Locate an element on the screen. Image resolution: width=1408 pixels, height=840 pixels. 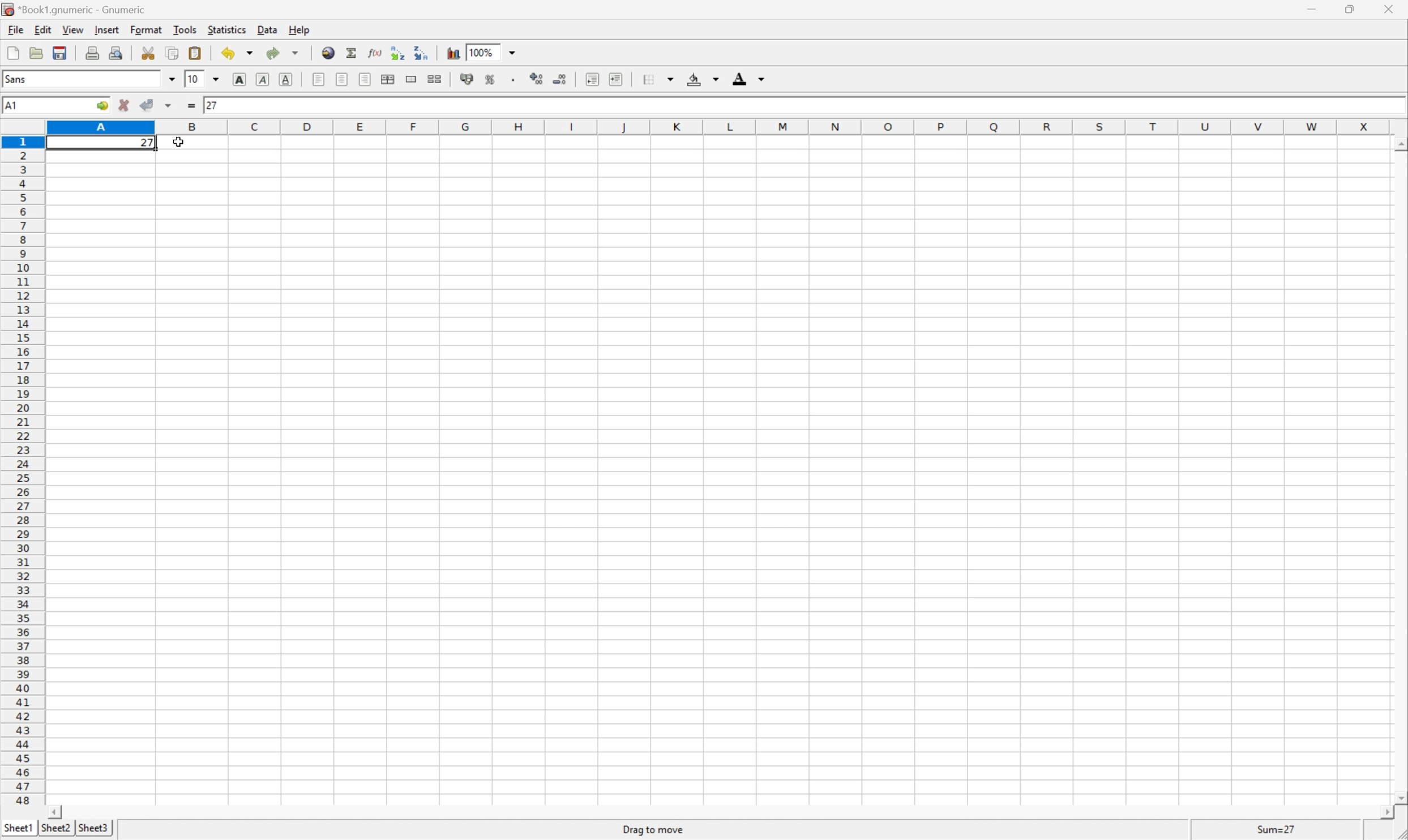
Help is located at coordinates (300, 30).